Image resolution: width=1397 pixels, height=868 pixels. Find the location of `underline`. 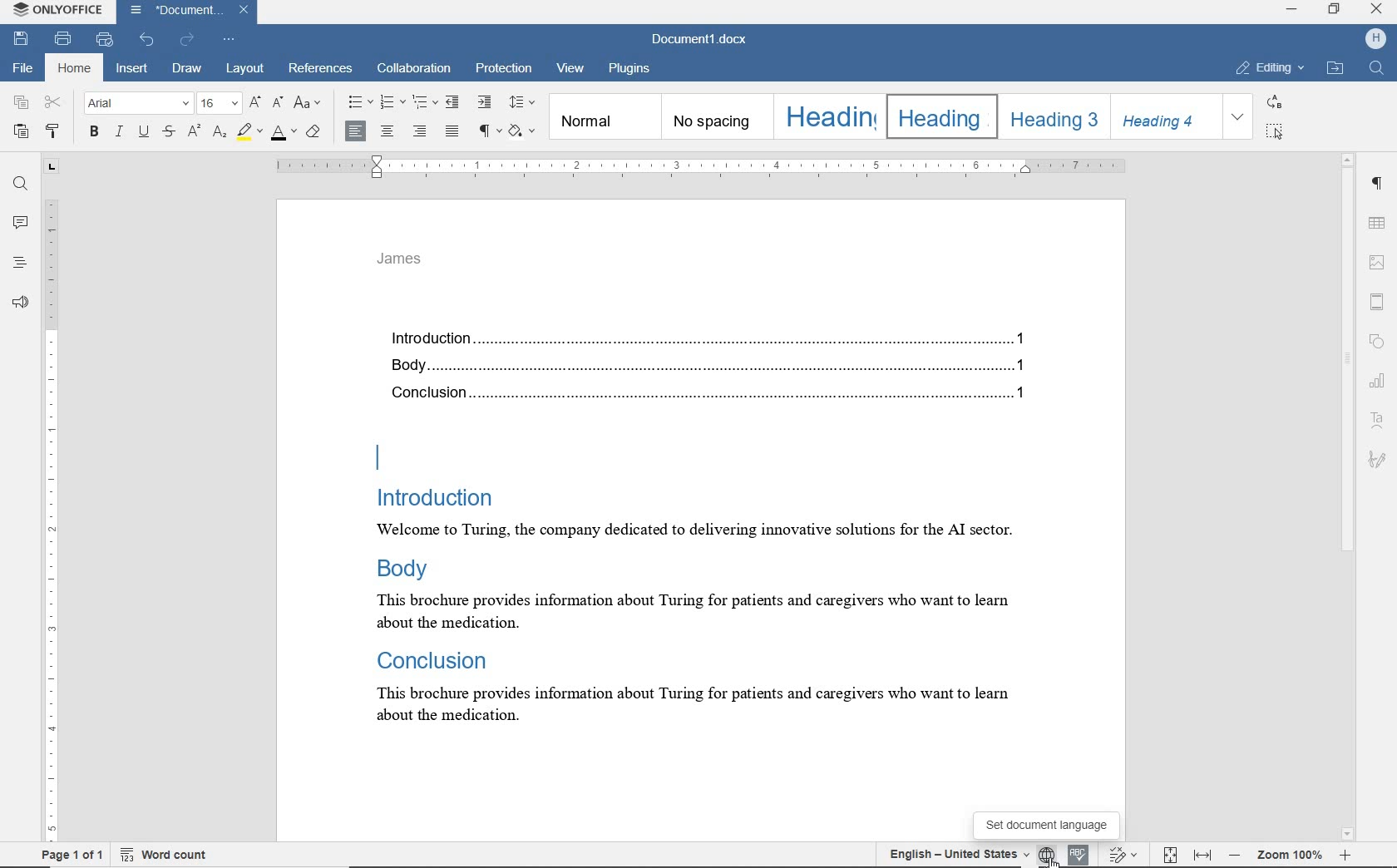

underline is located at coordinates (146, 133).